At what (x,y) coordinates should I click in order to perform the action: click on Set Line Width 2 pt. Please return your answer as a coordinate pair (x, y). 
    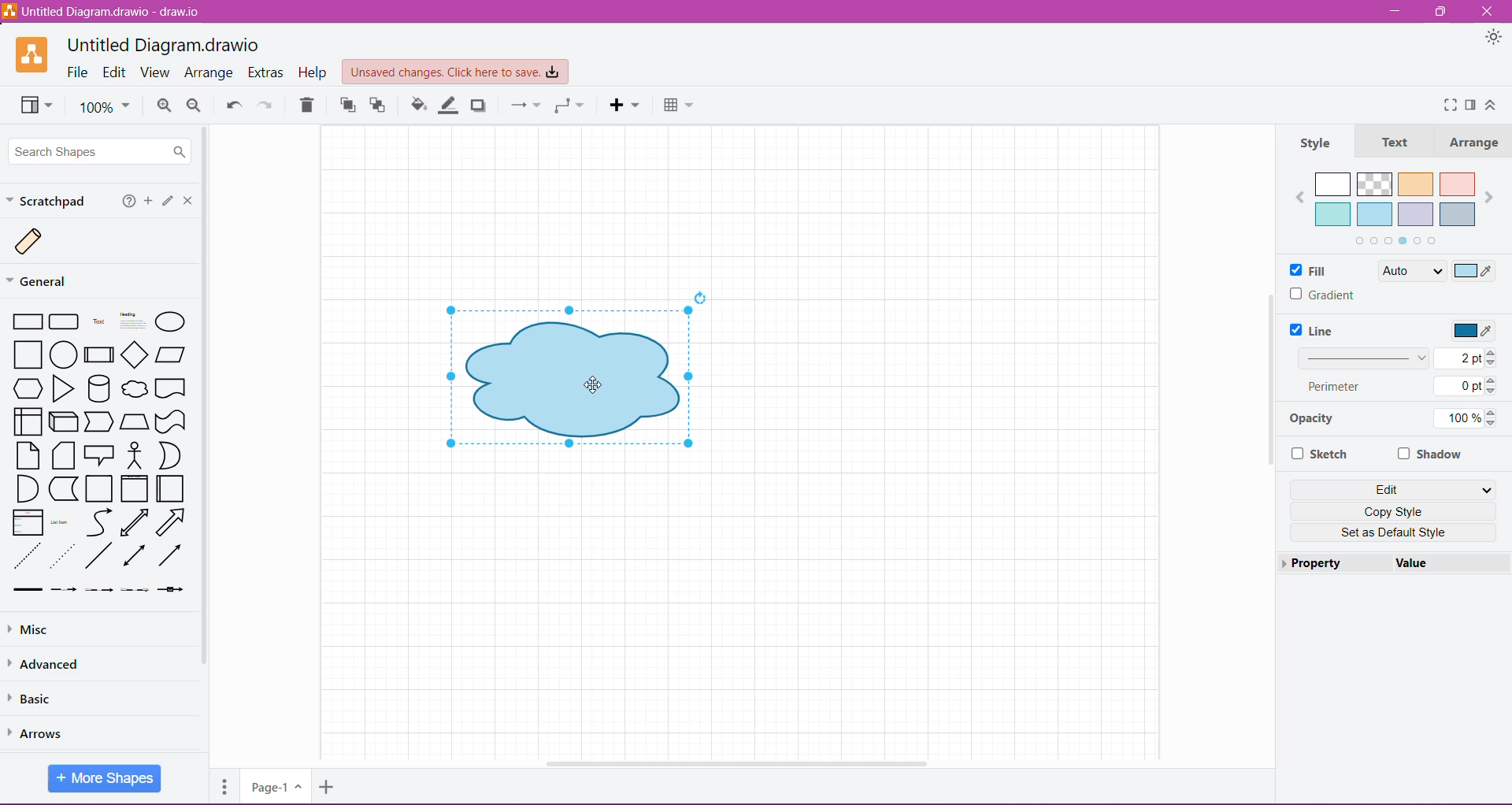
    Looking at the image, I should click on (1399, 359).